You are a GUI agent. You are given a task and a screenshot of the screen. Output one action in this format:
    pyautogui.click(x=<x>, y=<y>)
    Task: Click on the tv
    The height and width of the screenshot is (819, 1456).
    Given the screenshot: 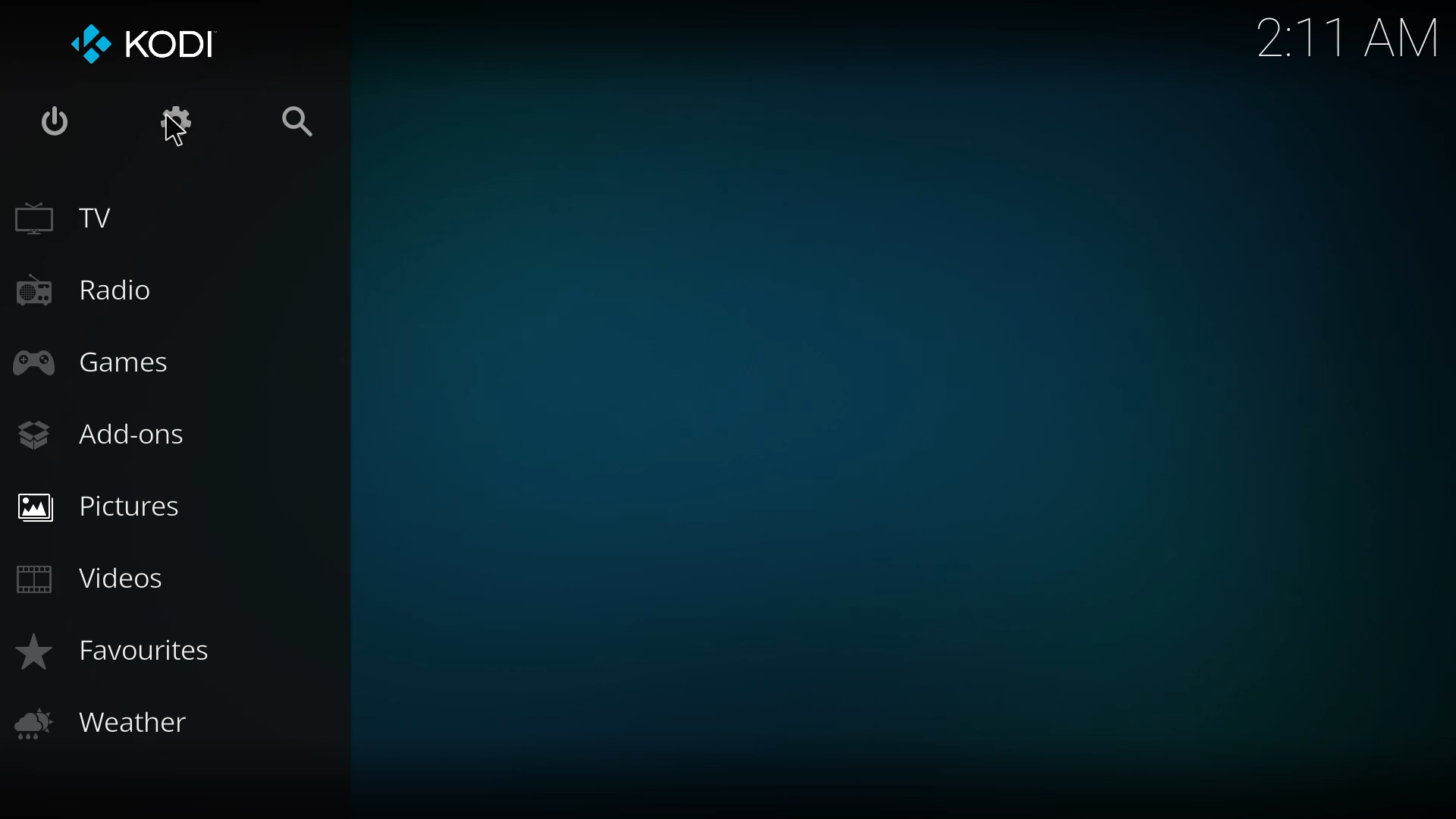 What is the action you would take?
    pyautogui.click(x=66, y=218)
    